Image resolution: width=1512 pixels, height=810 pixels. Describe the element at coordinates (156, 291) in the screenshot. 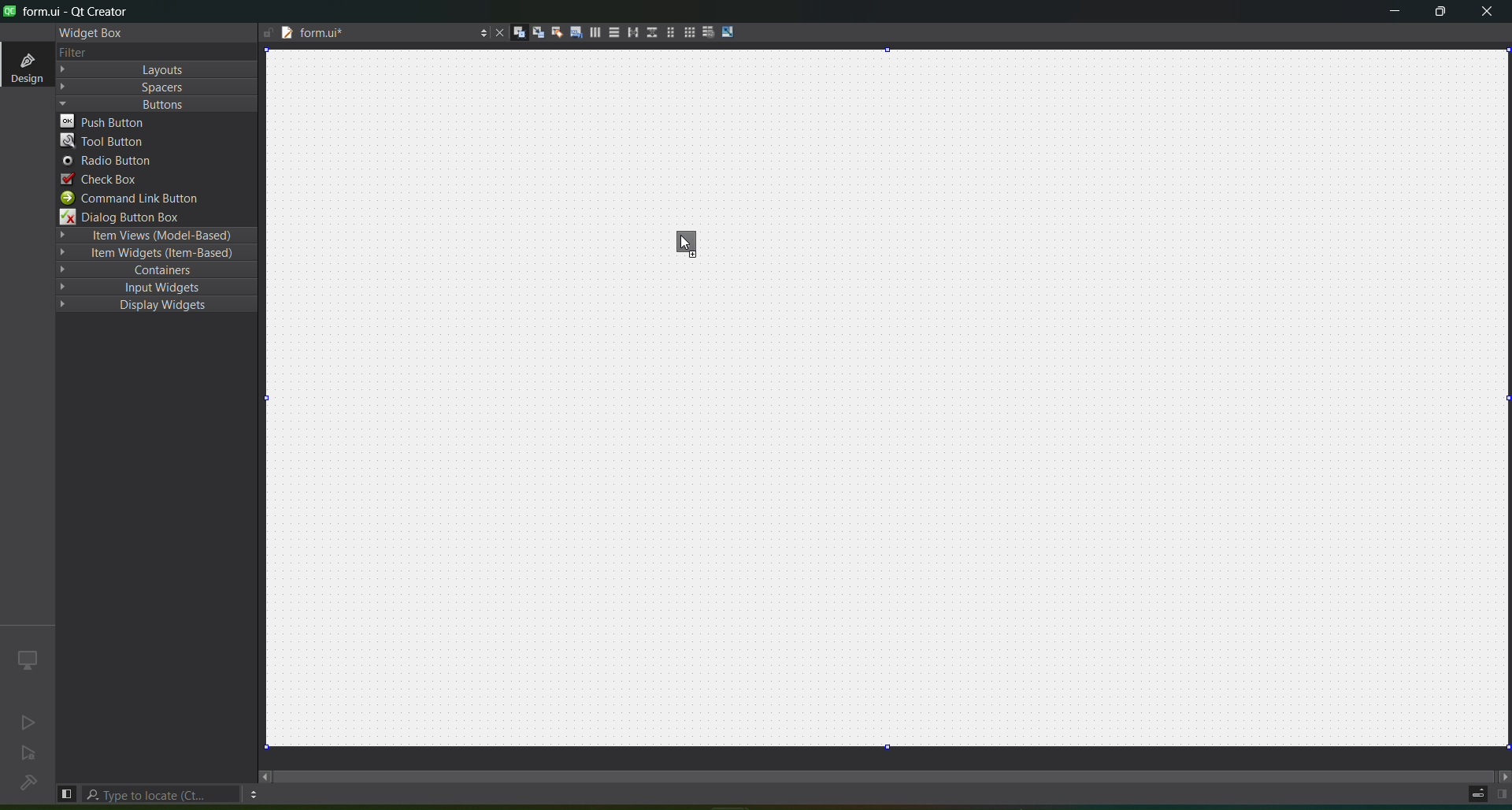

I see `input widgets` at that location.